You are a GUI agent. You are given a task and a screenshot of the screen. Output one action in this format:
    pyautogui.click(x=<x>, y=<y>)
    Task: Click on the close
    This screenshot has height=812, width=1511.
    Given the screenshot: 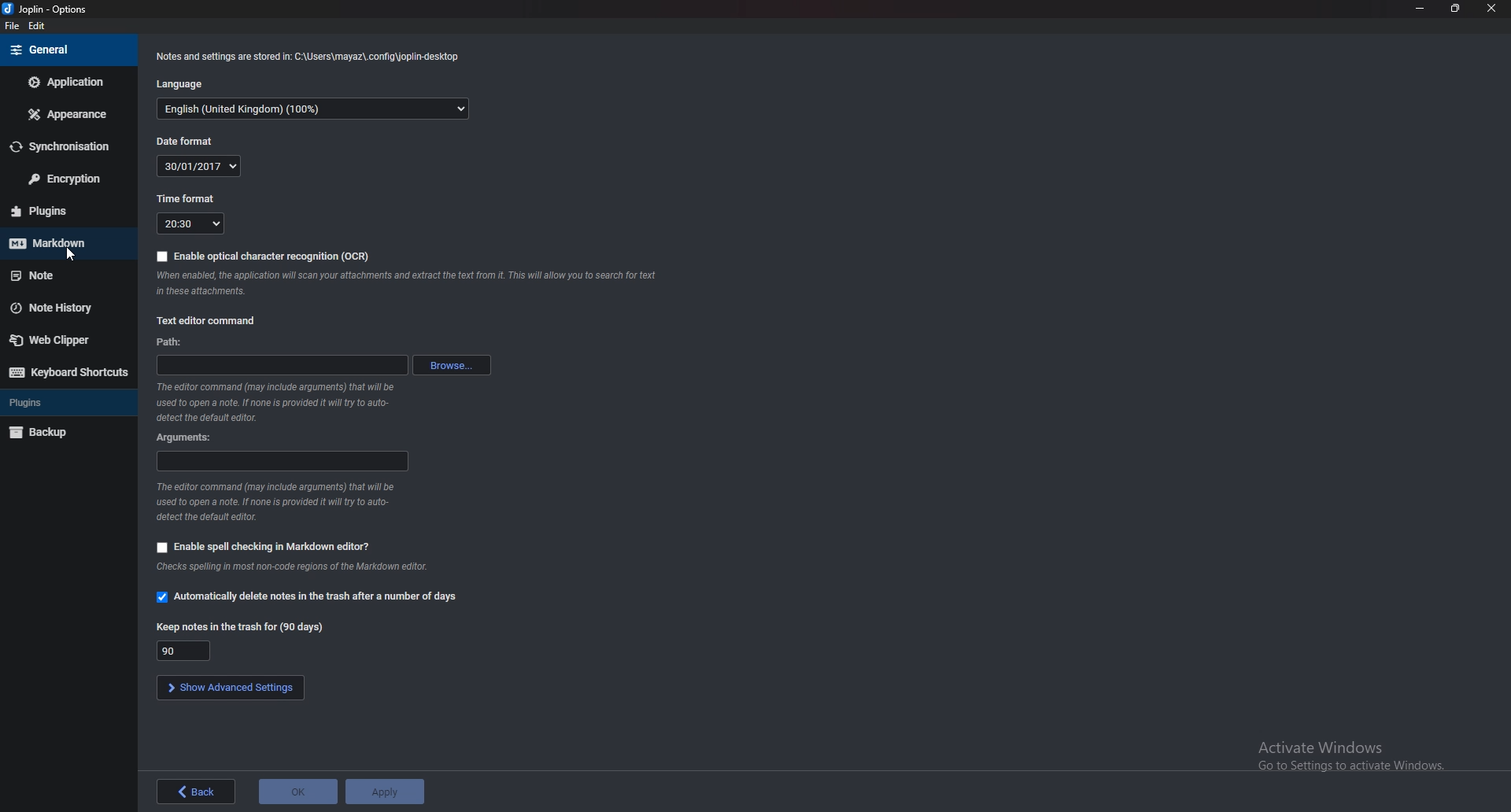 What is the action you would take?
    pyautogui.click(x=1492, y=7)
    